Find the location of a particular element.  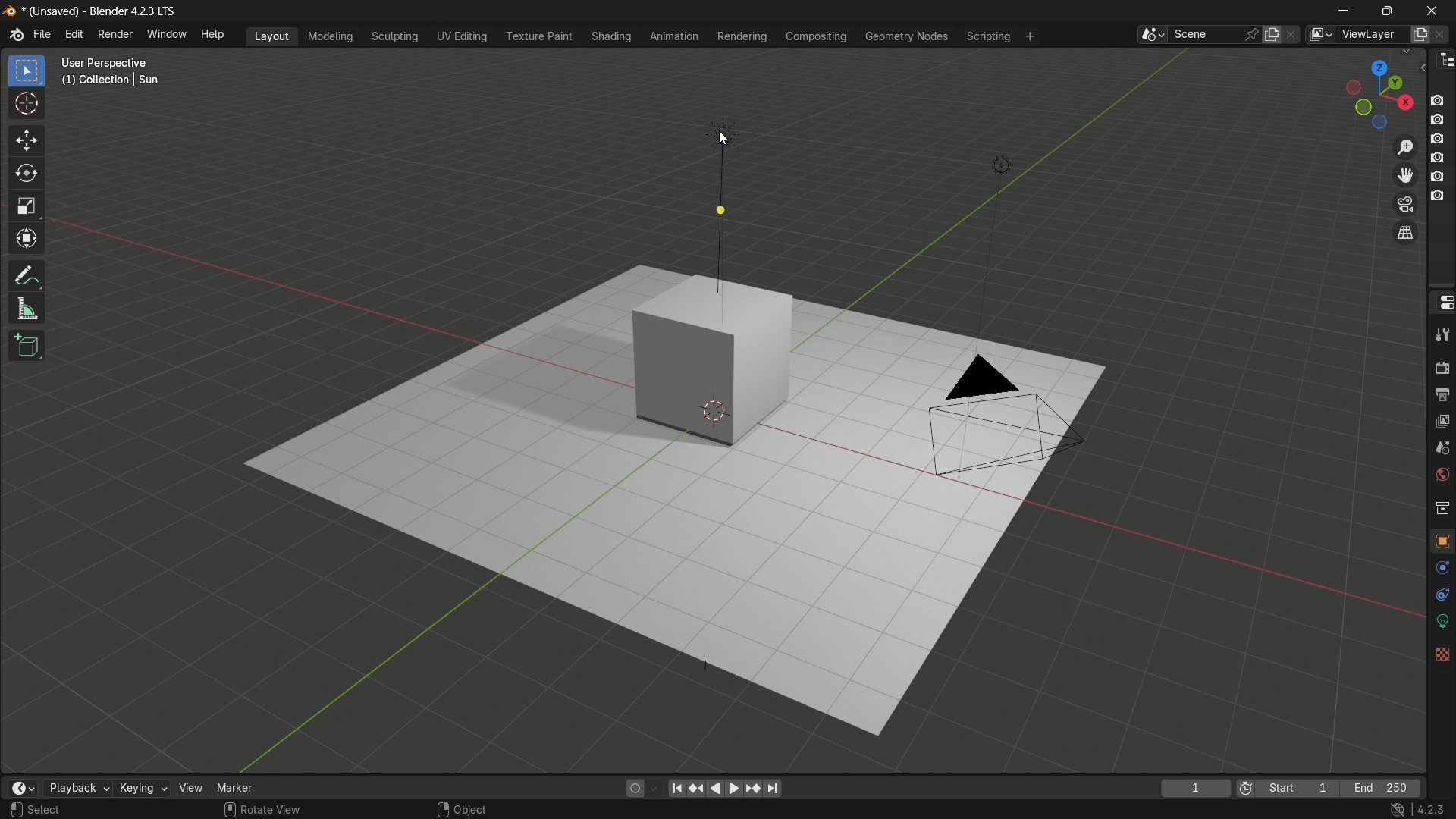

add workplace is located at coordinates (1031, 36).